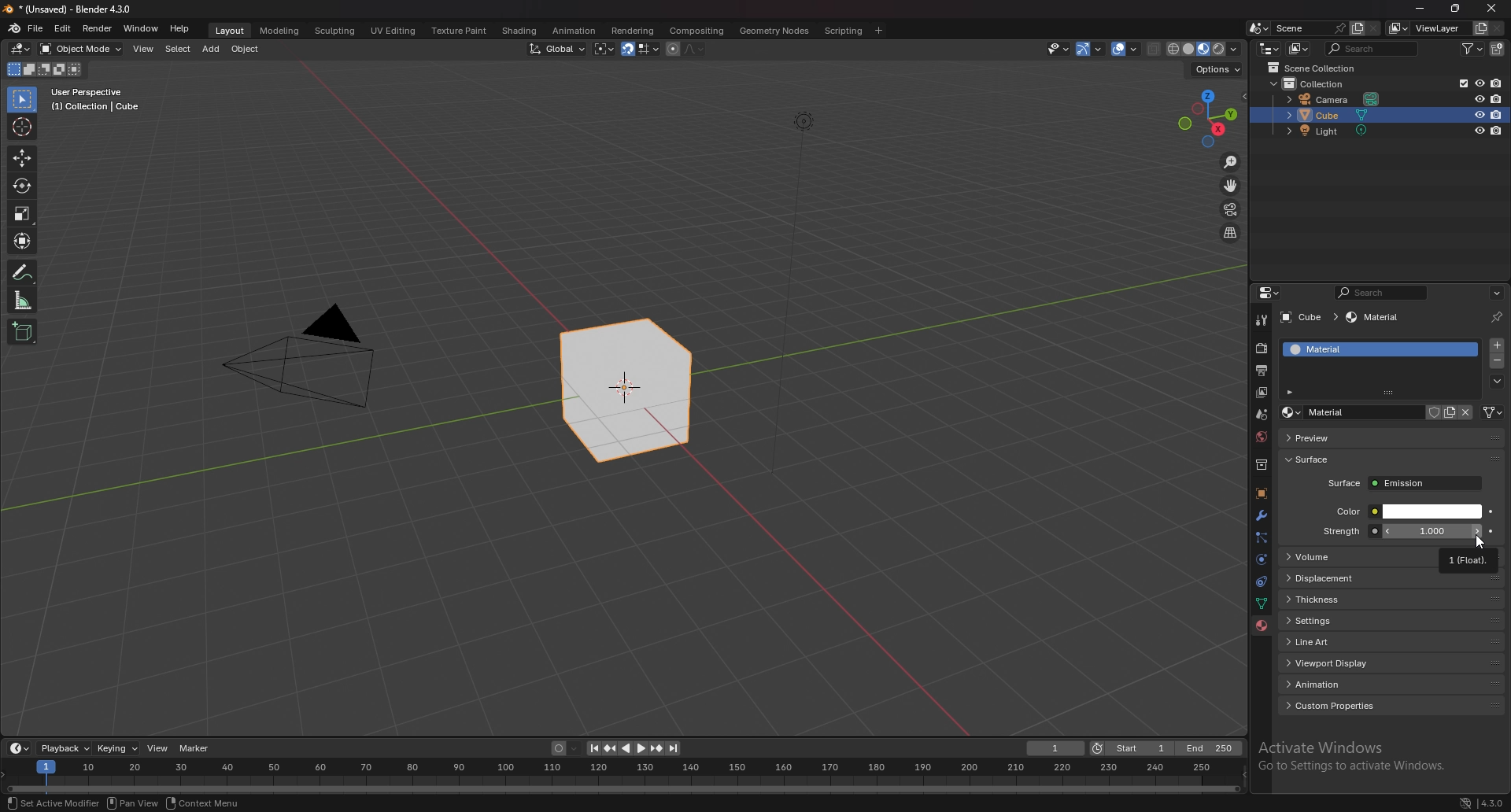 This screenshot has width=1511, height=812. What do you see at coordinates (1393, 705) in the screenshot?
I see `custom properties` at bounding box center [1393, 705].